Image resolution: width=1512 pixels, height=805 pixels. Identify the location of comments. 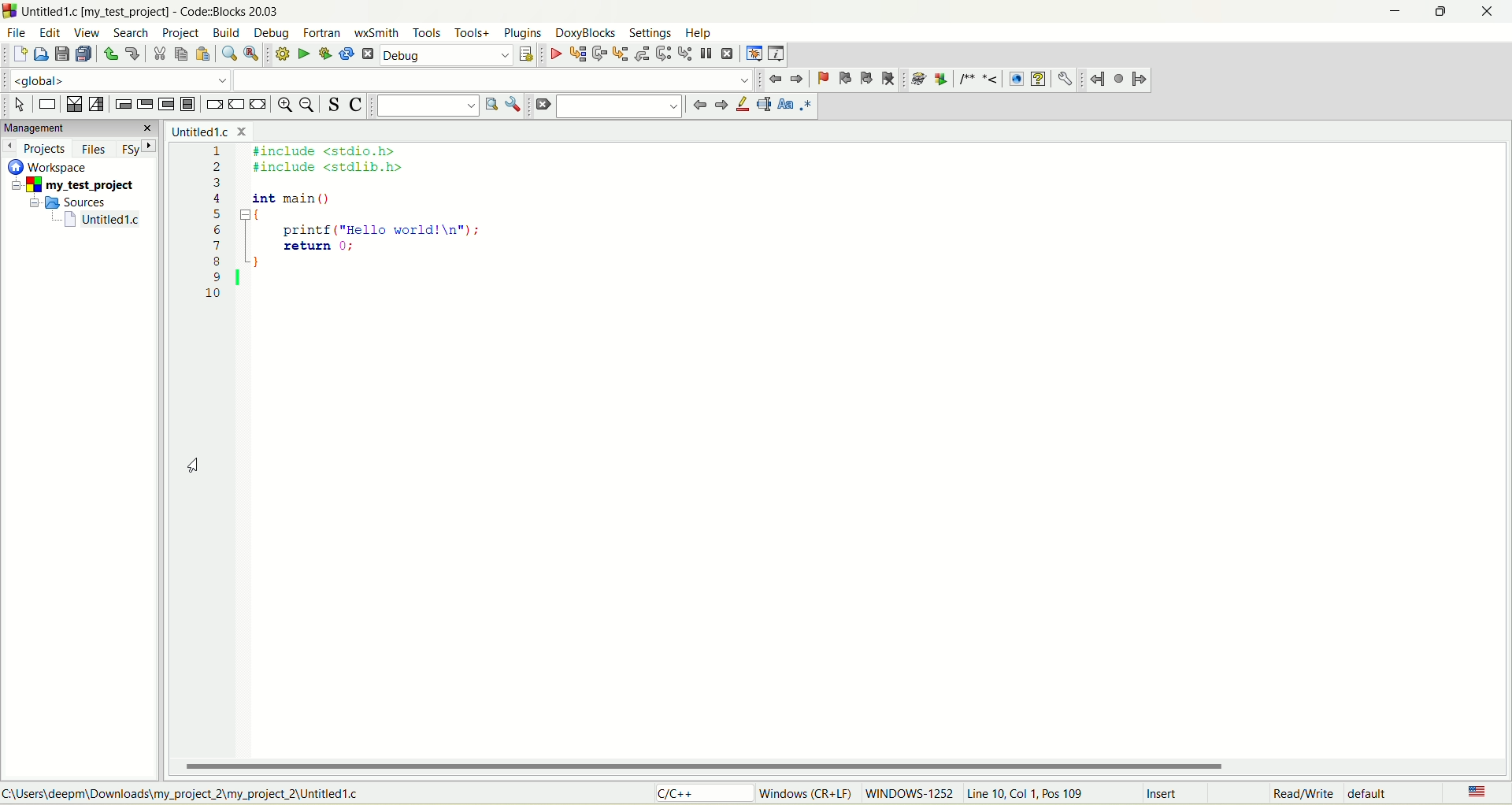
(980, 78).